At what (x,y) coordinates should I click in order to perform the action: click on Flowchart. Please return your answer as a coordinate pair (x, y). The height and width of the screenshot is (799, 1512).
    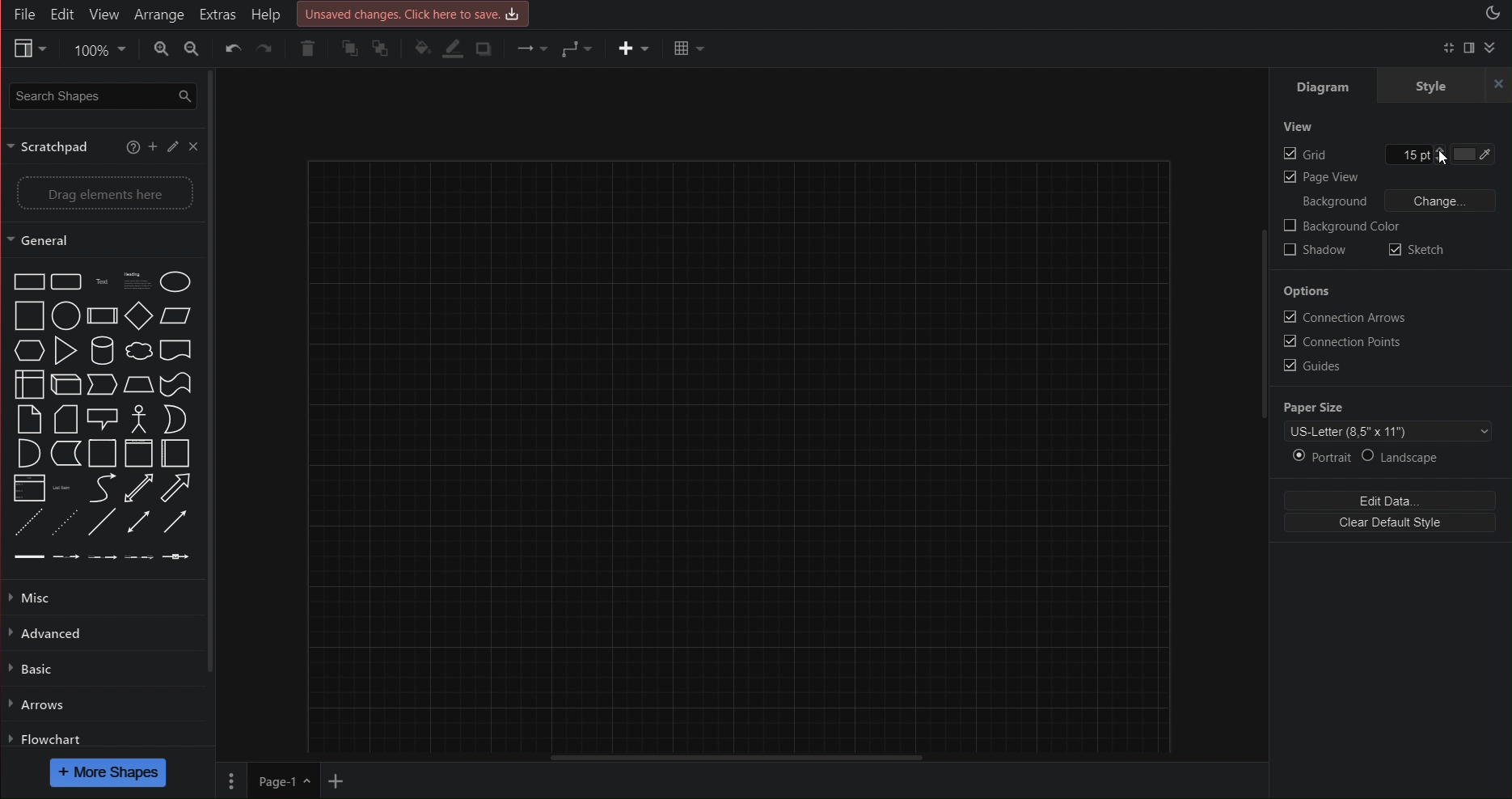
    Looking at the image, I should click on (47, 738).